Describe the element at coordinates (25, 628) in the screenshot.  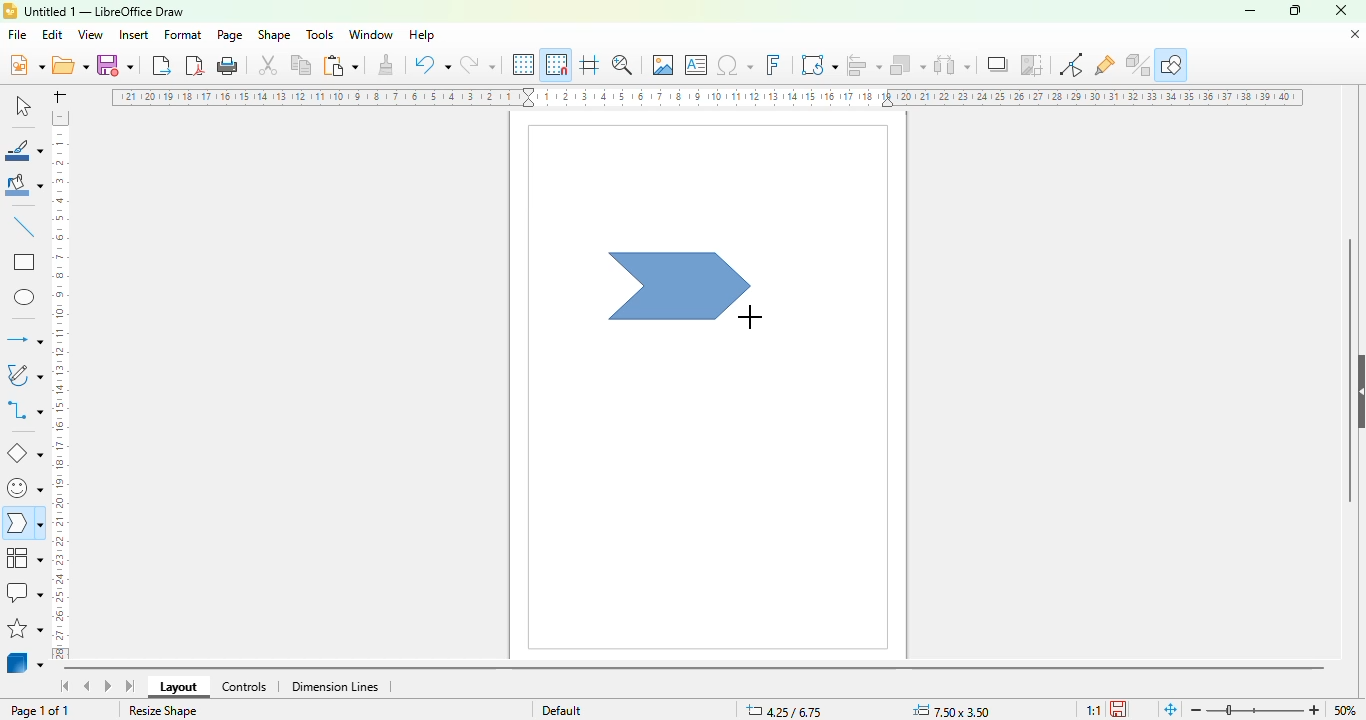
I see `stars and banners` at that location.